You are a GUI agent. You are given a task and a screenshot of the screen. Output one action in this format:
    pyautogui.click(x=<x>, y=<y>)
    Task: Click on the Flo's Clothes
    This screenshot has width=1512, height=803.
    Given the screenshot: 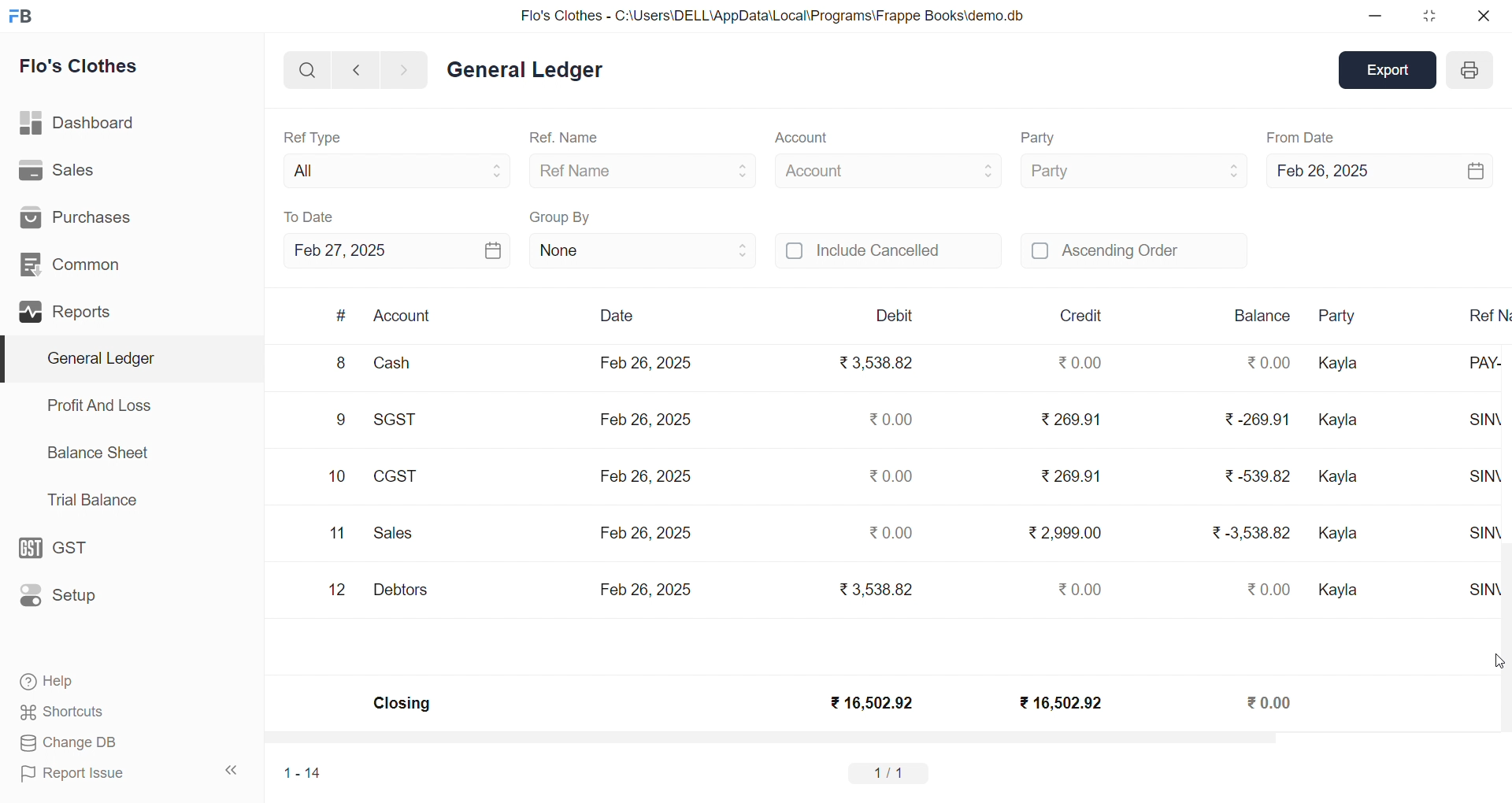 What is the action you would take?
    pyautogui.click(x=80, y=66)
    